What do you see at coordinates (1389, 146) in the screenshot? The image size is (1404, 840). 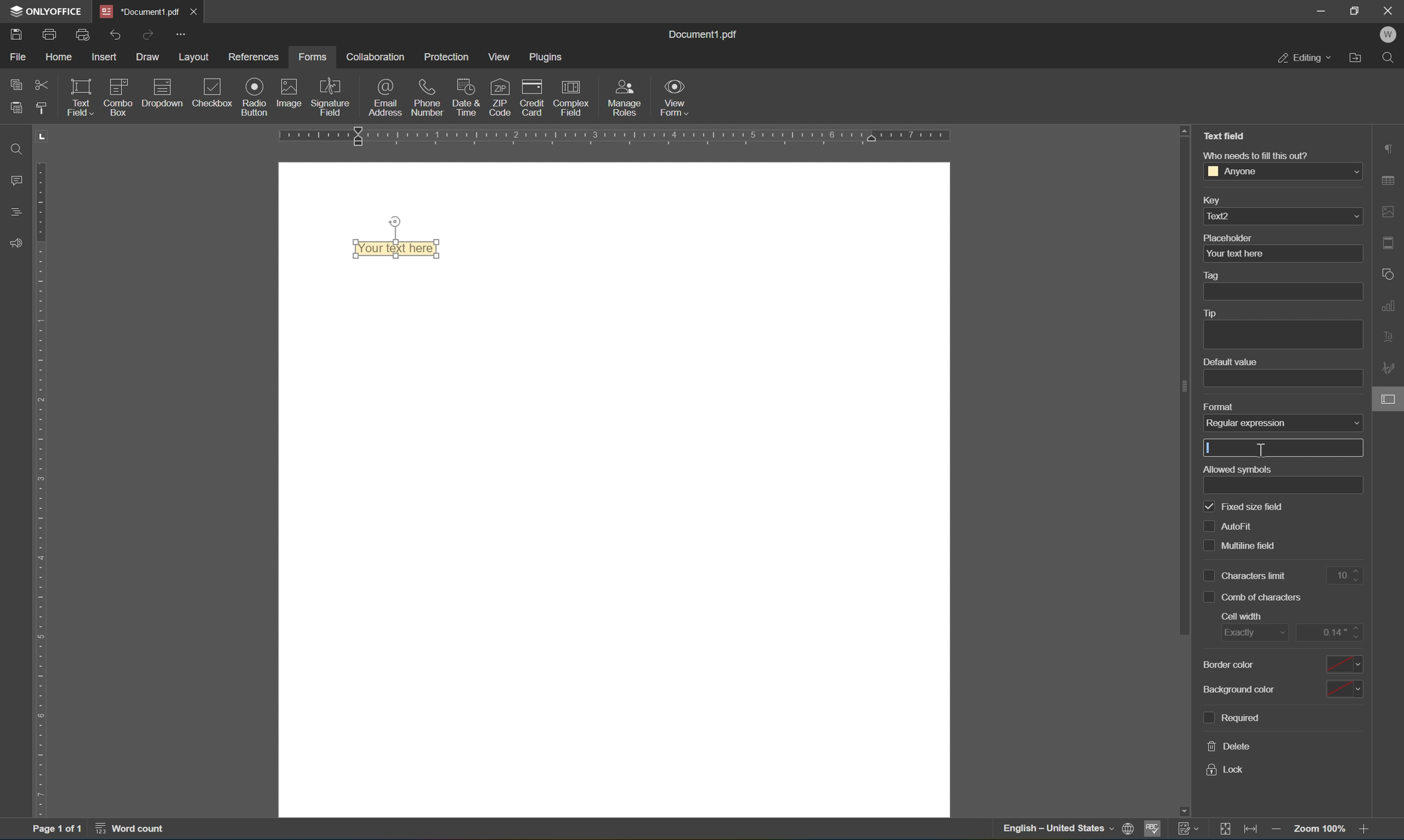 I see `paragraph settings` at bounding box center [1389, 146].